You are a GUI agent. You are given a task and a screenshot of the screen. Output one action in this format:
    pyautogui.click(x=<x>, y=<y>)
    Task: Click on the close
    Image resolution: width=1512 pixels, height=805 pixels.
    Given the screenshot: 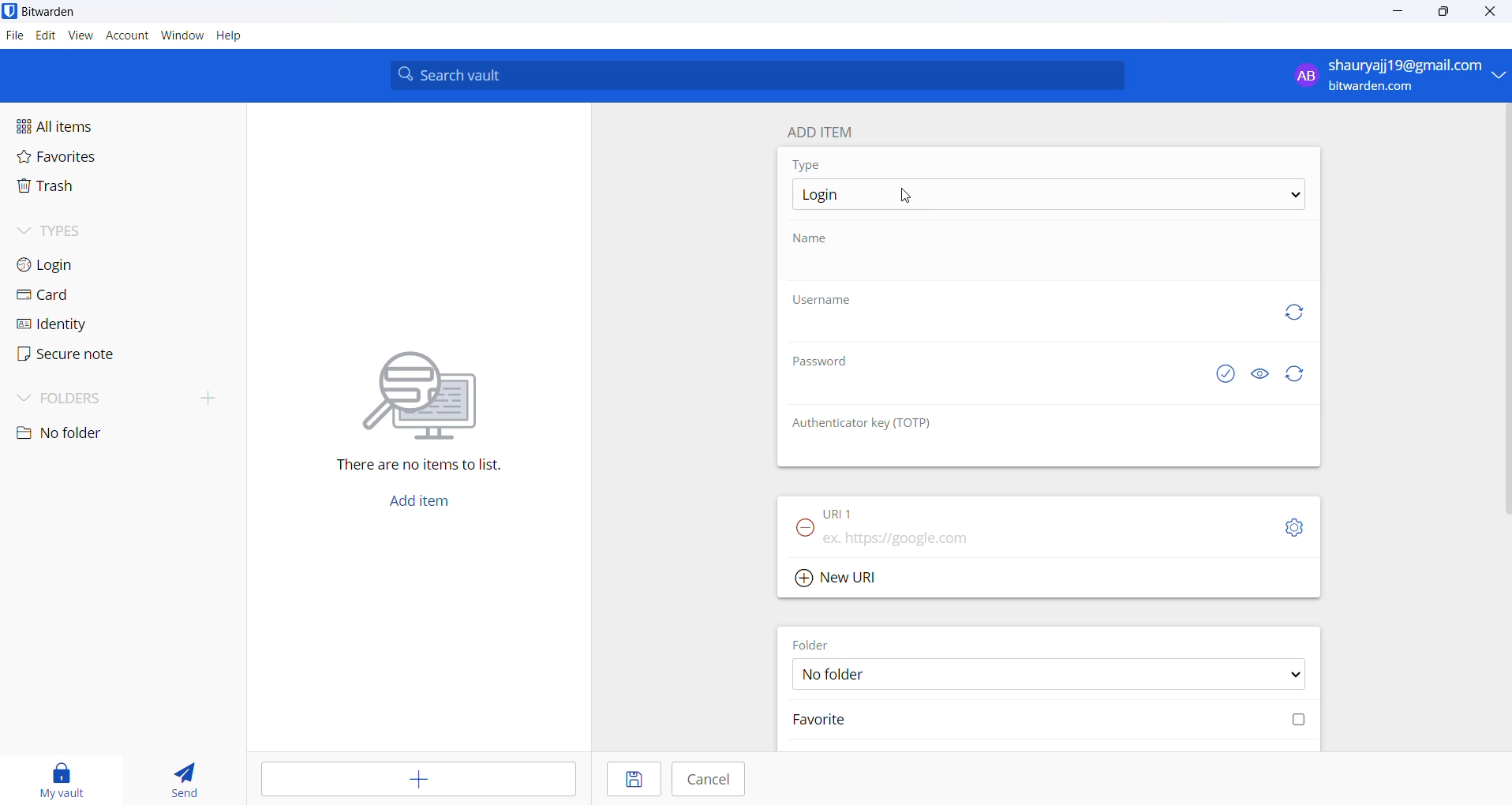 What is the action you would take?
    pyautogui.click(x=1495, y=12)
    